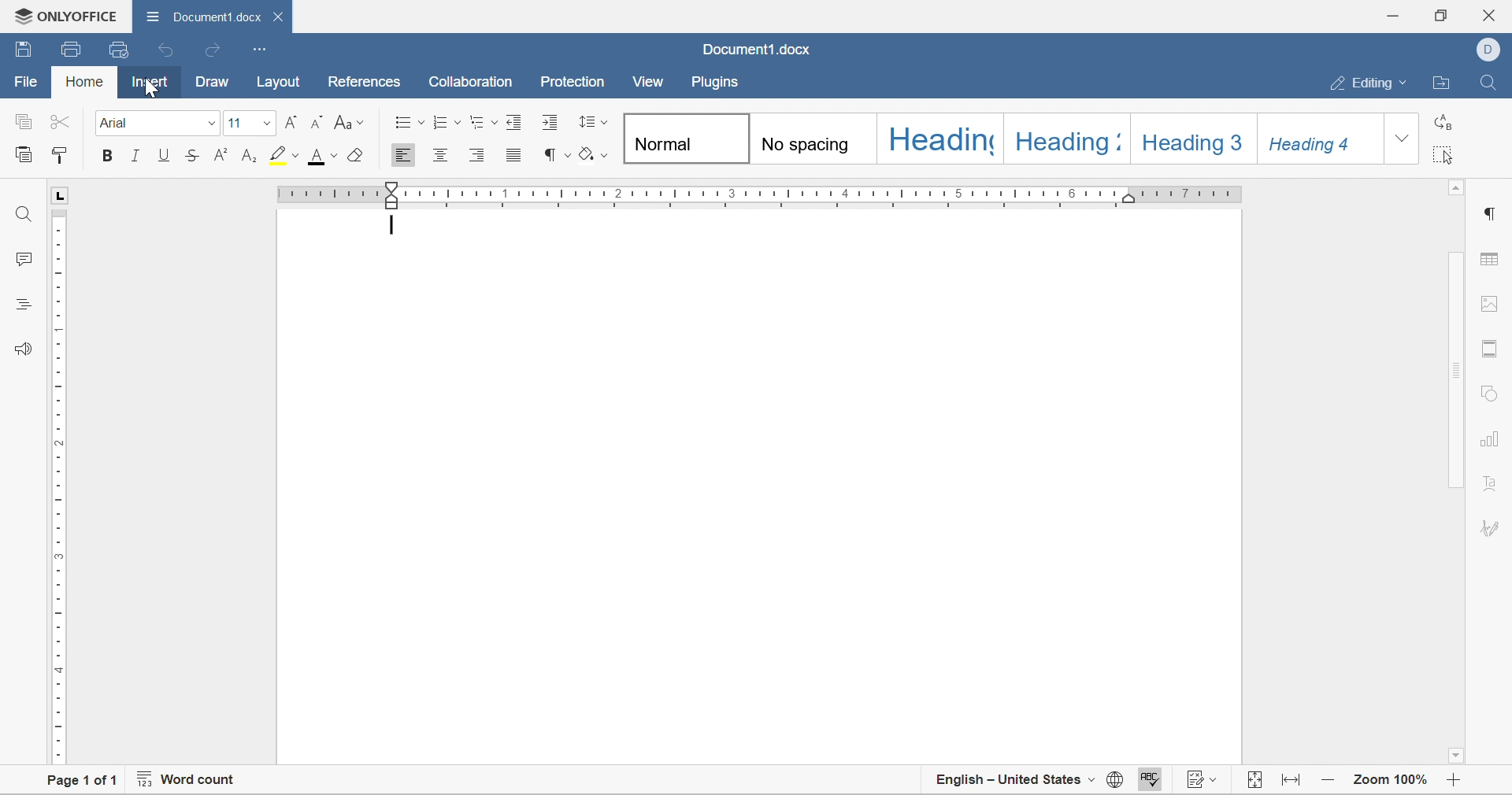  Describe the element at coordinates (164, 155) in the screenshot. I see `Underline` at that location.